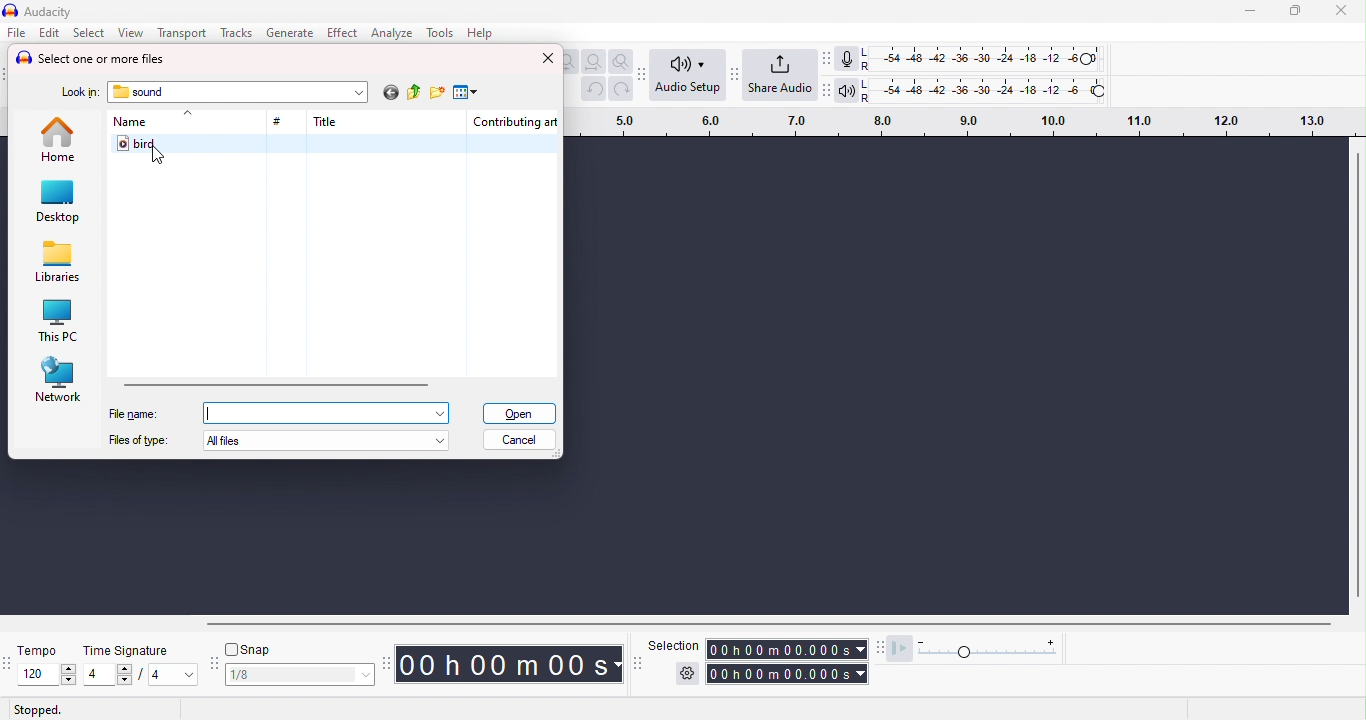  What do you see at coordinates (277, 382) in the screenshot?
I see `horizontal scroll bar` at bounding box center [277, 382].